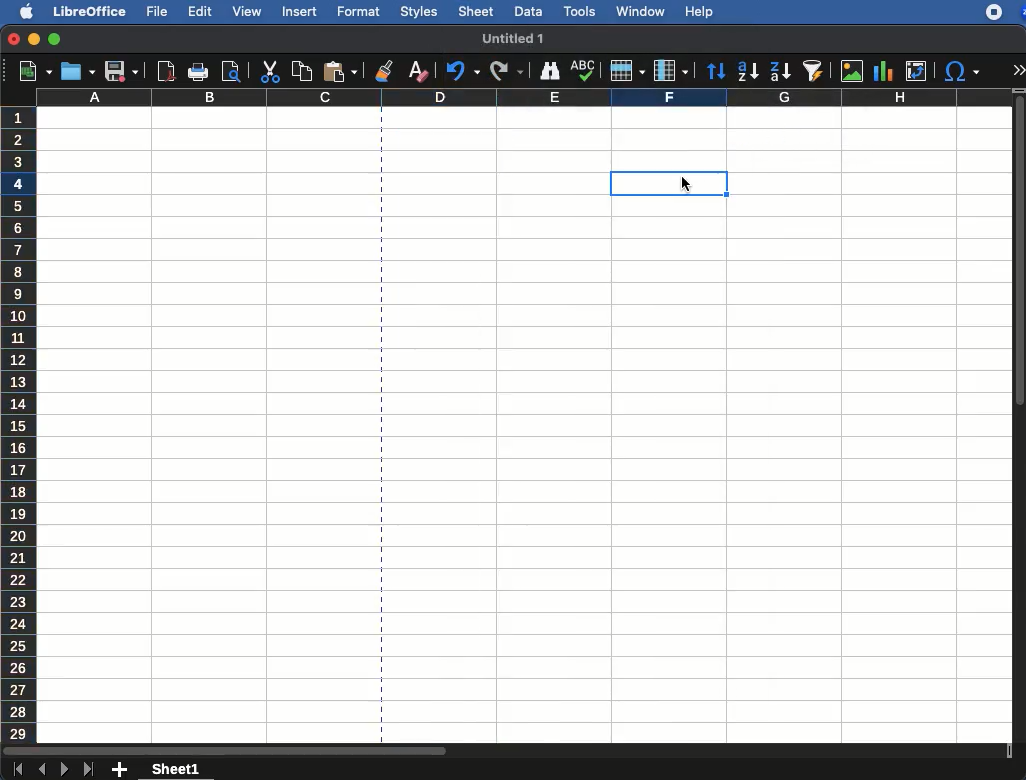 Image resolution: width=1026 pixels, height=780 pixels. I want to click on last sheet, so click(90, 770).